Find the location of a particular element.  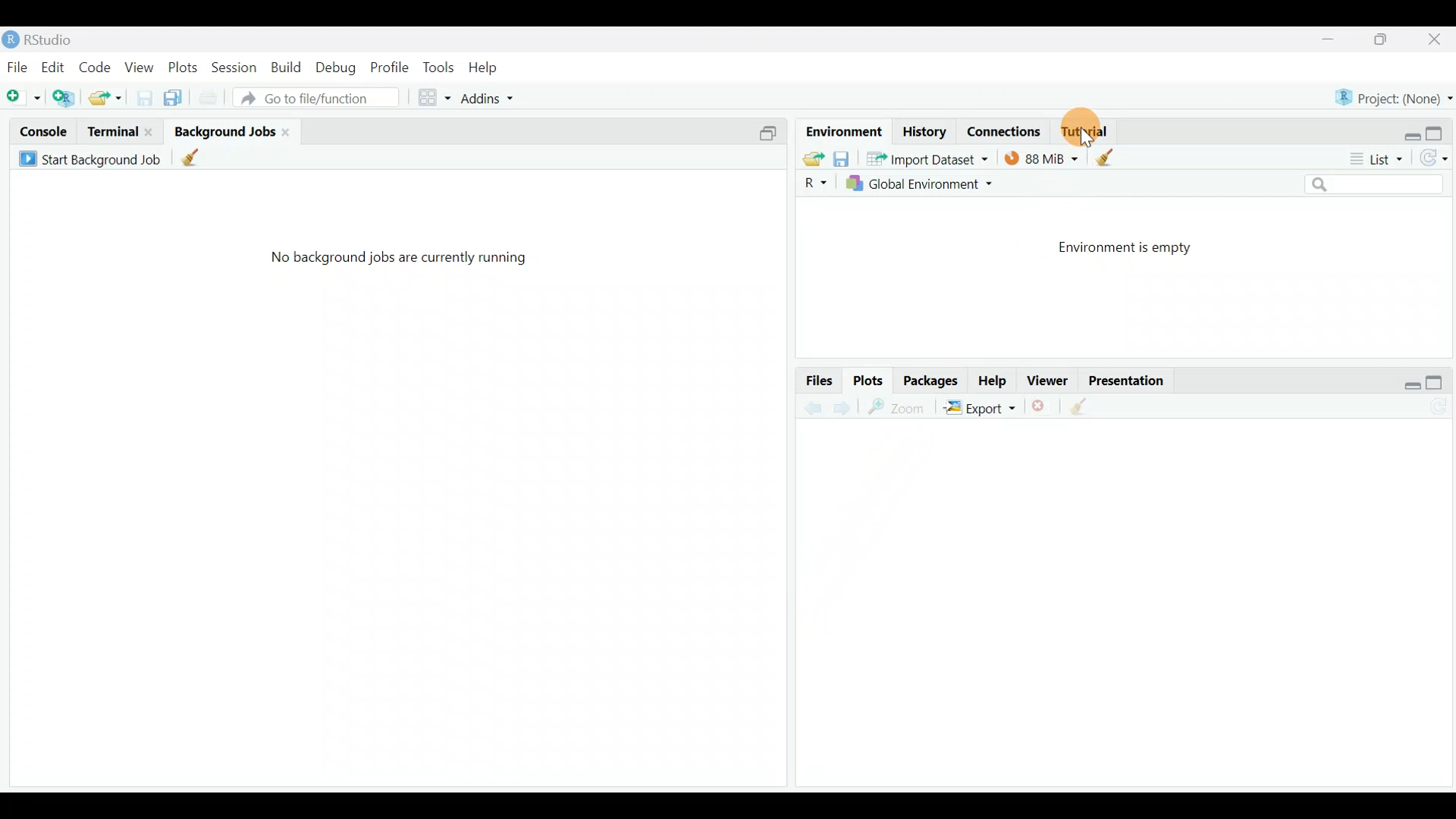

No background jobs are currently running is located at coordinates (406, 262).